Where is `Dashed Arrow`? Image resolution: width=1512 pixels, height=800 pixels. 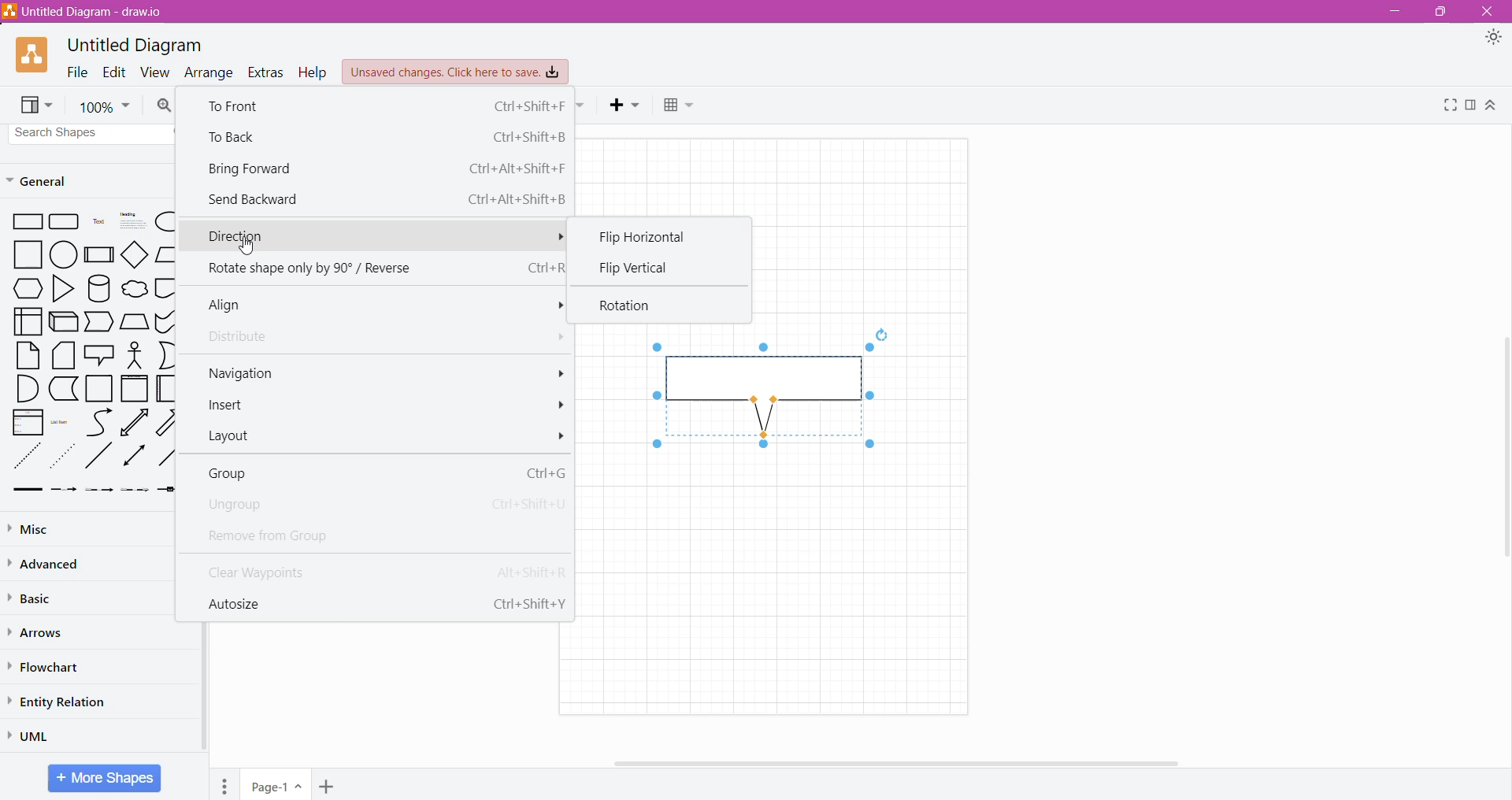
Dashed Arrow is located at coordinates (64, 491).